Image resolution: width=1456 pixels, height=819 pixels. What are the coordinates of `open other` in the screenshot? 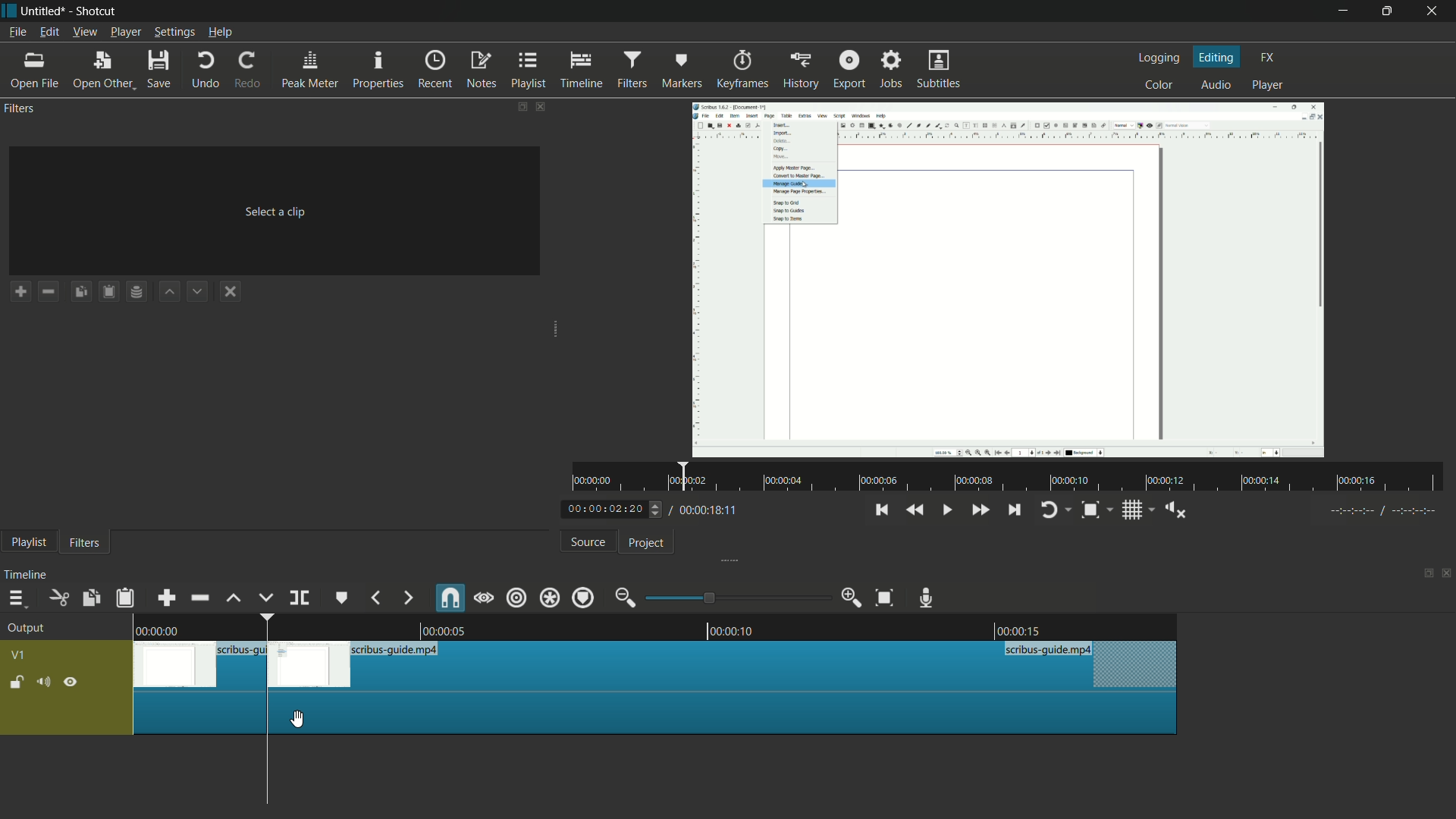 It's located at (103, 70).